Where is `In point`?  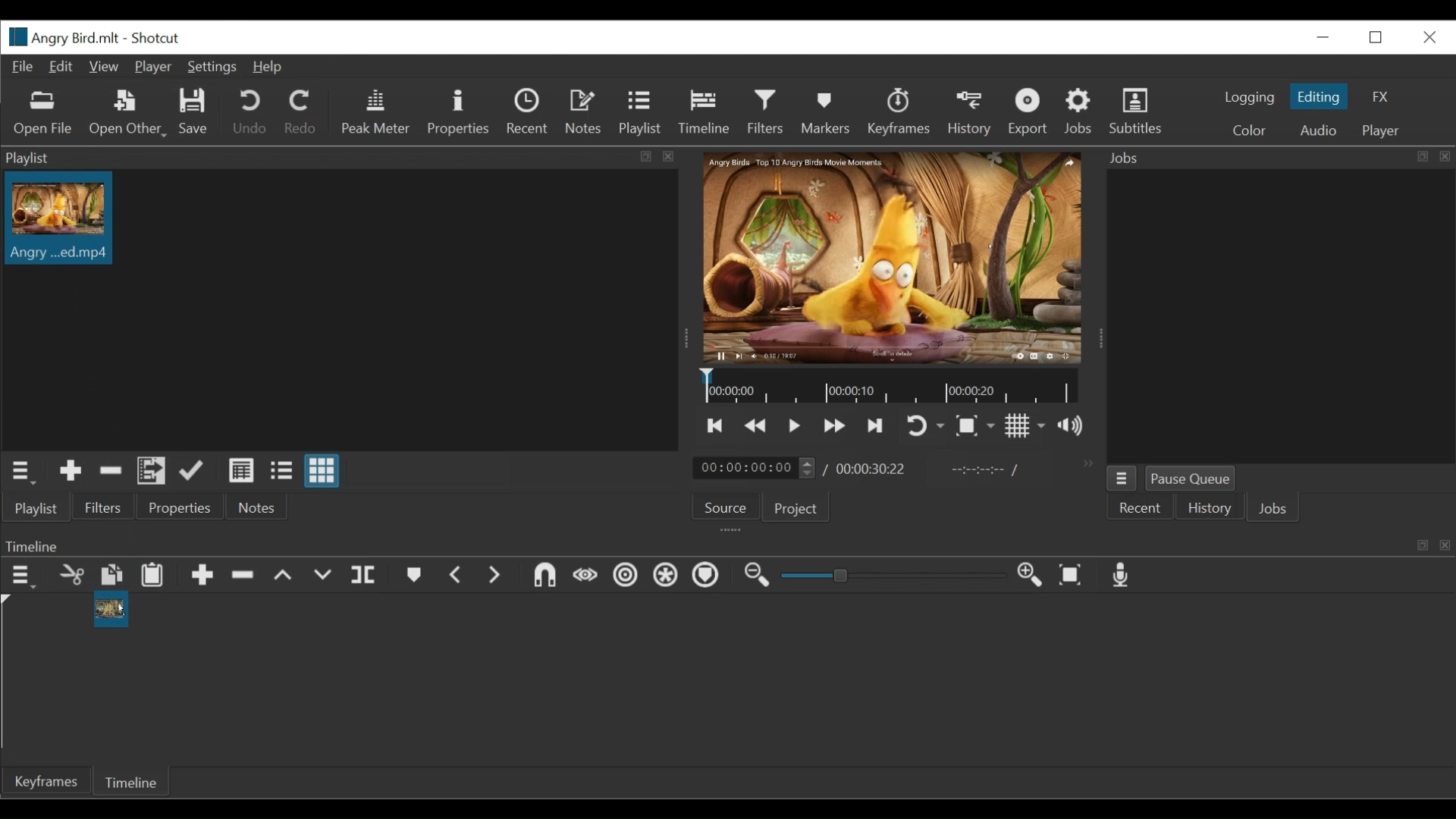 In point is located at coordinates (984, 470).